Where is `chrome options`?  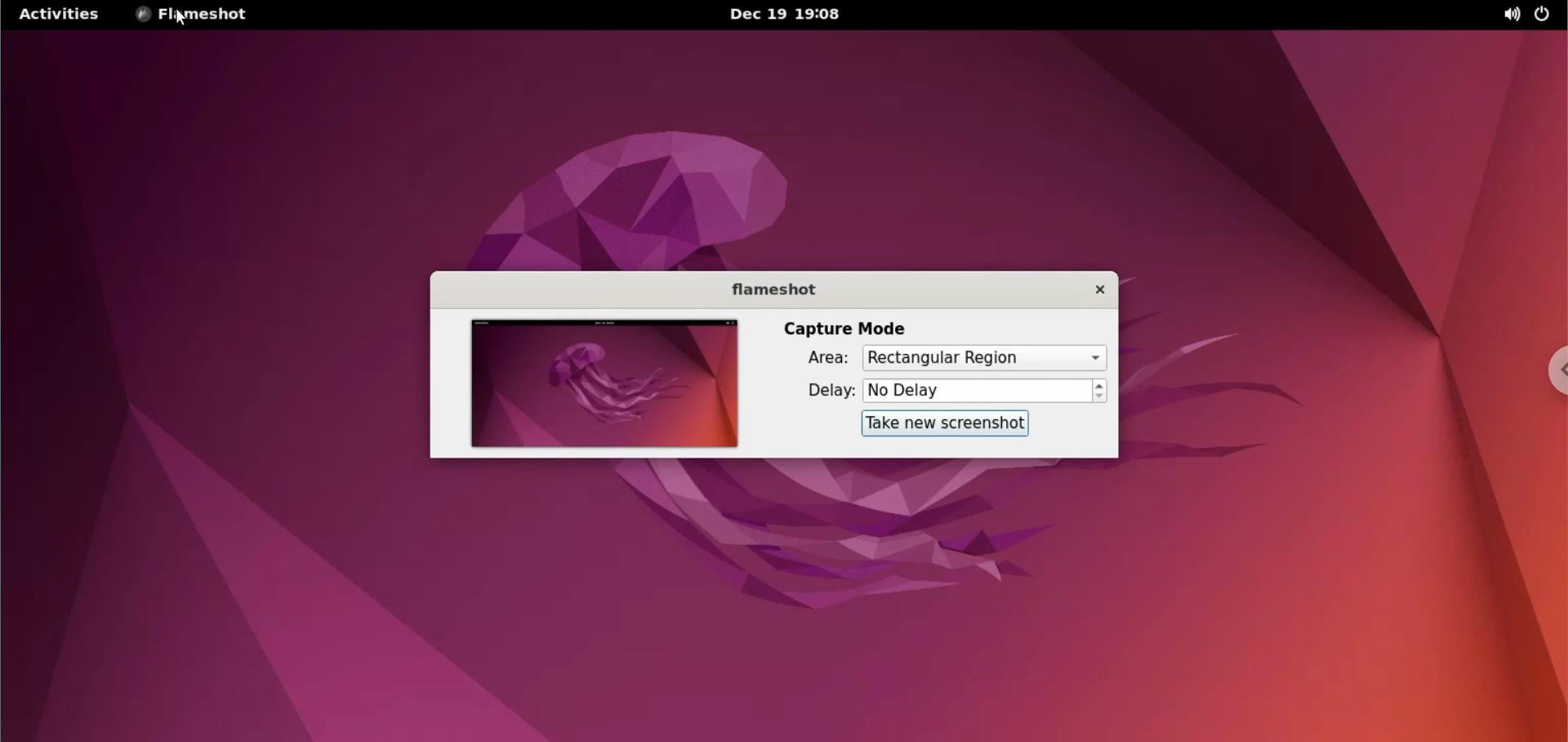
chrome options is located at coordinates (1557, 370).